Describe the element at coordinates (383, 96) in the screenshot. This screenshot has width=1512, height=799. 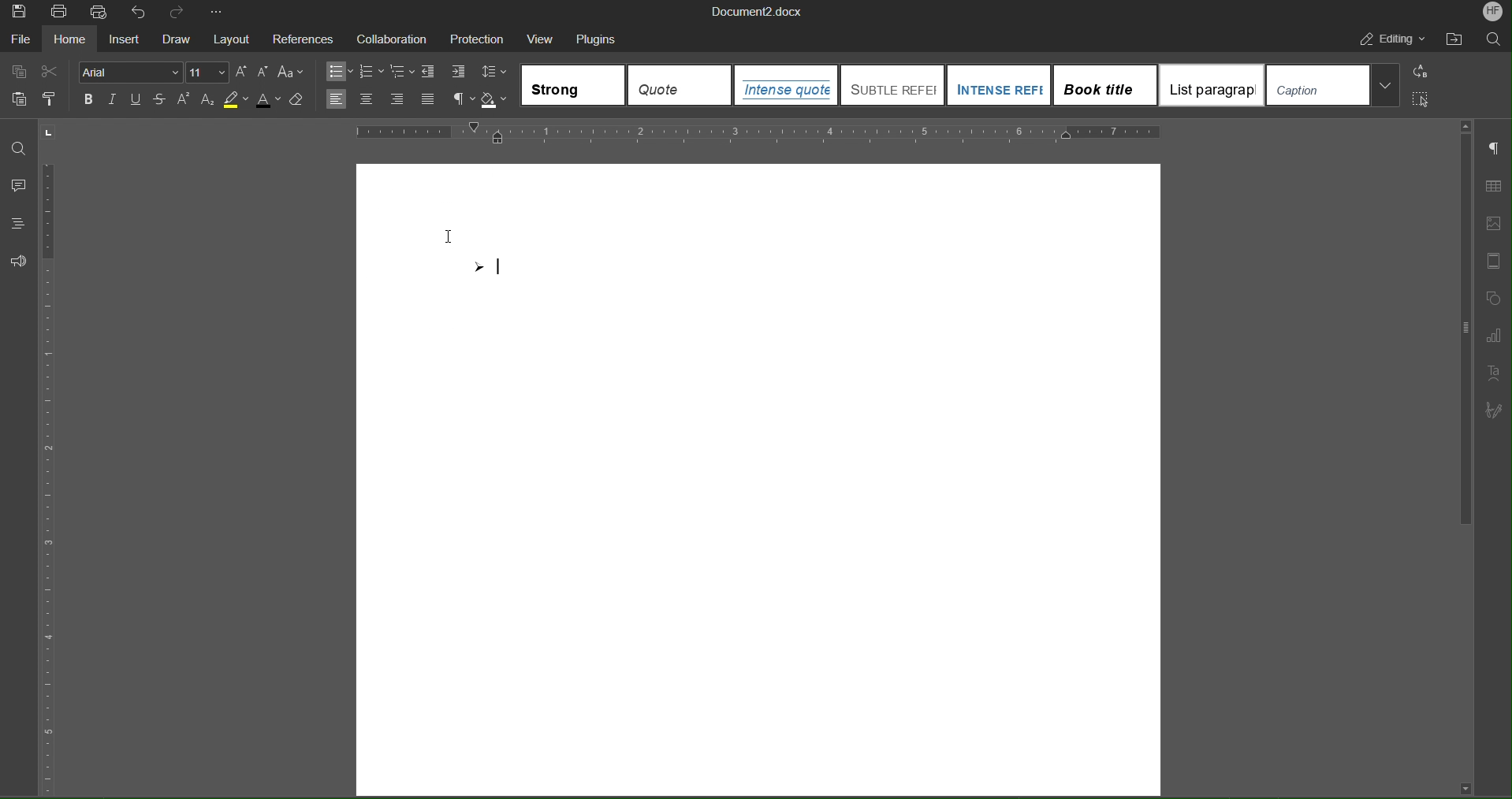
I see `Text Alignment` at that location.